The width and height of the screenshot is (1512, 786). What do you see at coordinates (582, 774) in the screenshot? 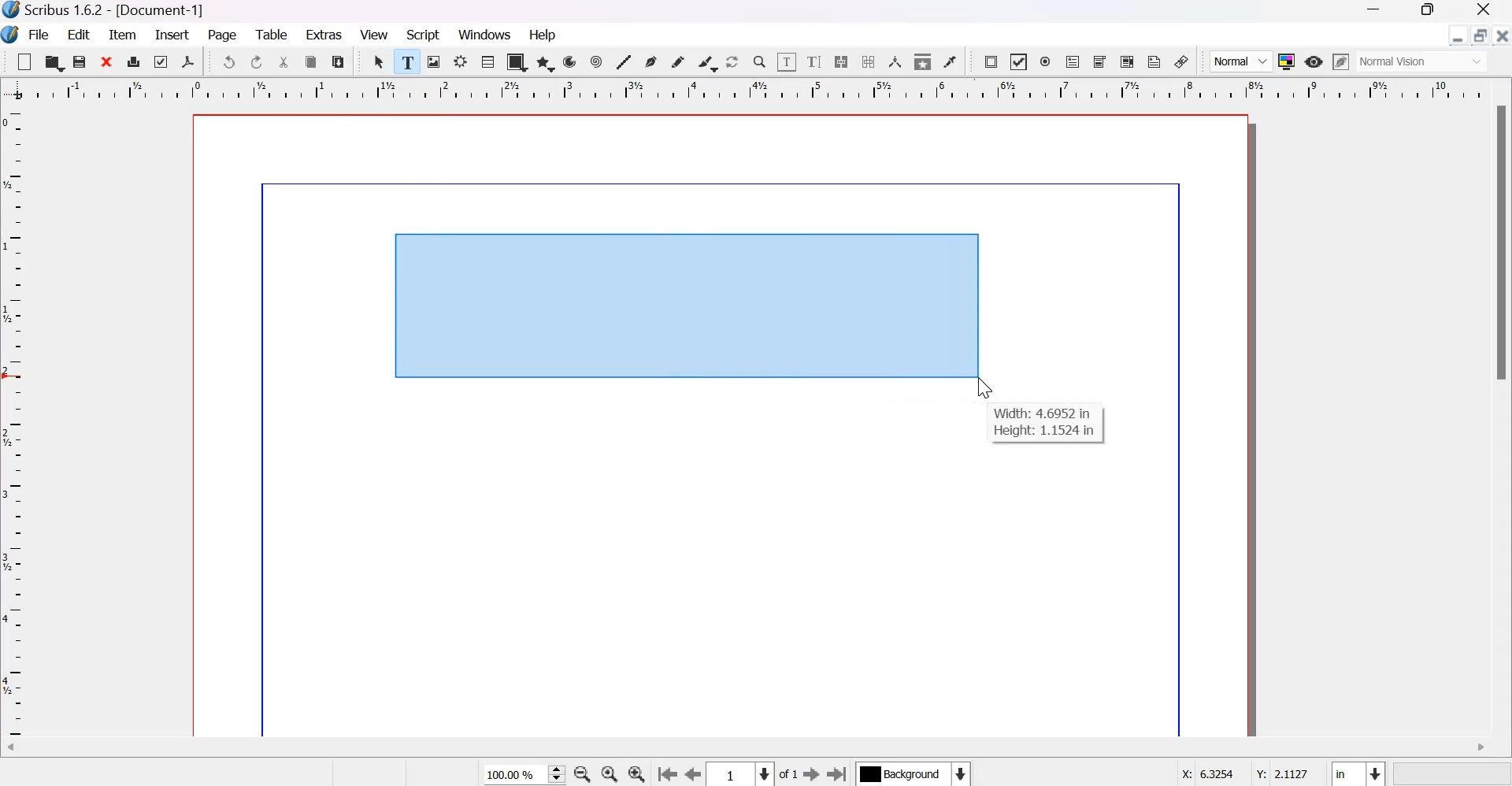
I see `zoom out` at bounding box center [582, 774].